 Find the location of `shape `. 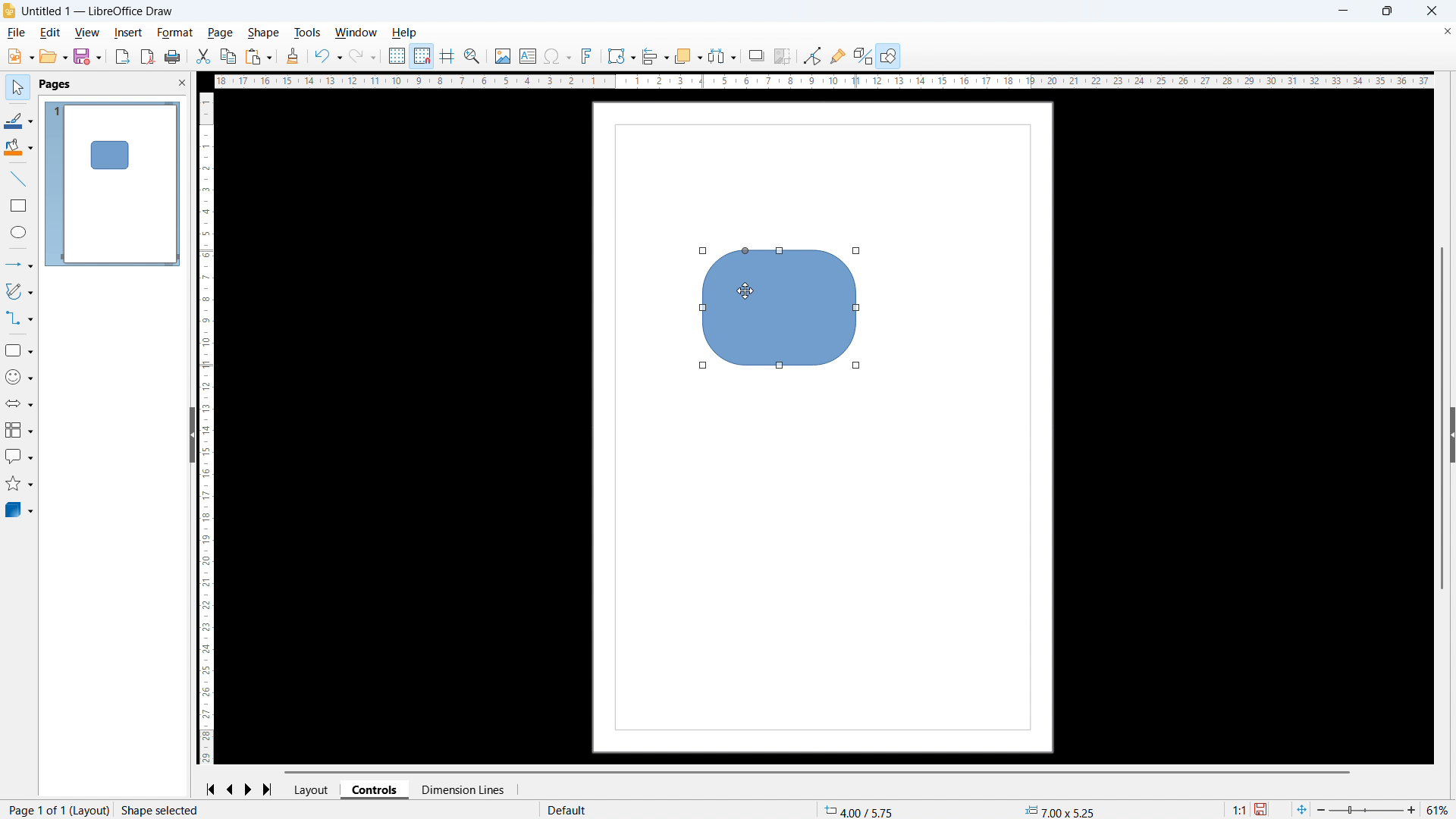

shape  is located at coordinates (263, 33).